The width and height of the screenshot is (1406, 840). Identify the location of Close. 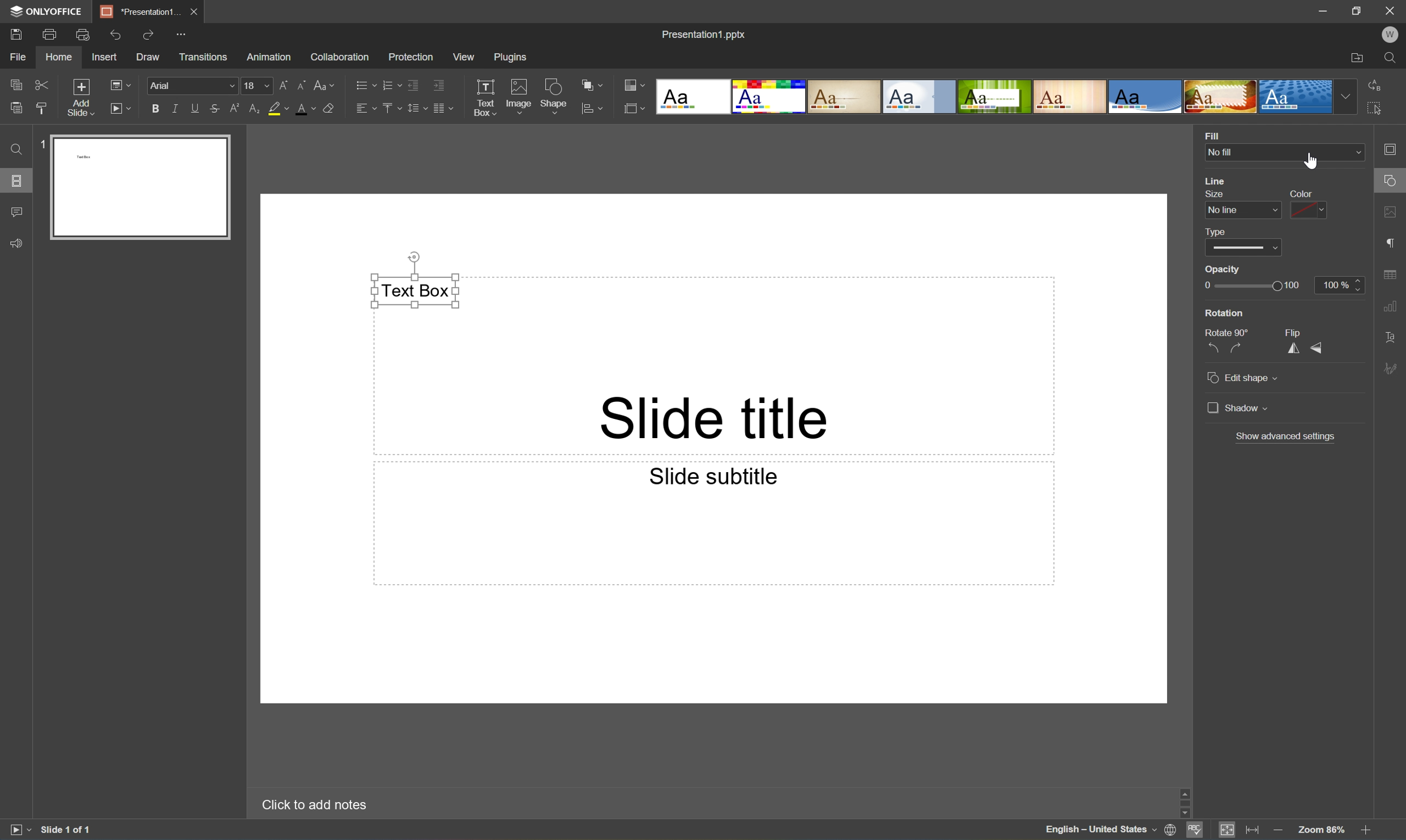
(1392, 10).